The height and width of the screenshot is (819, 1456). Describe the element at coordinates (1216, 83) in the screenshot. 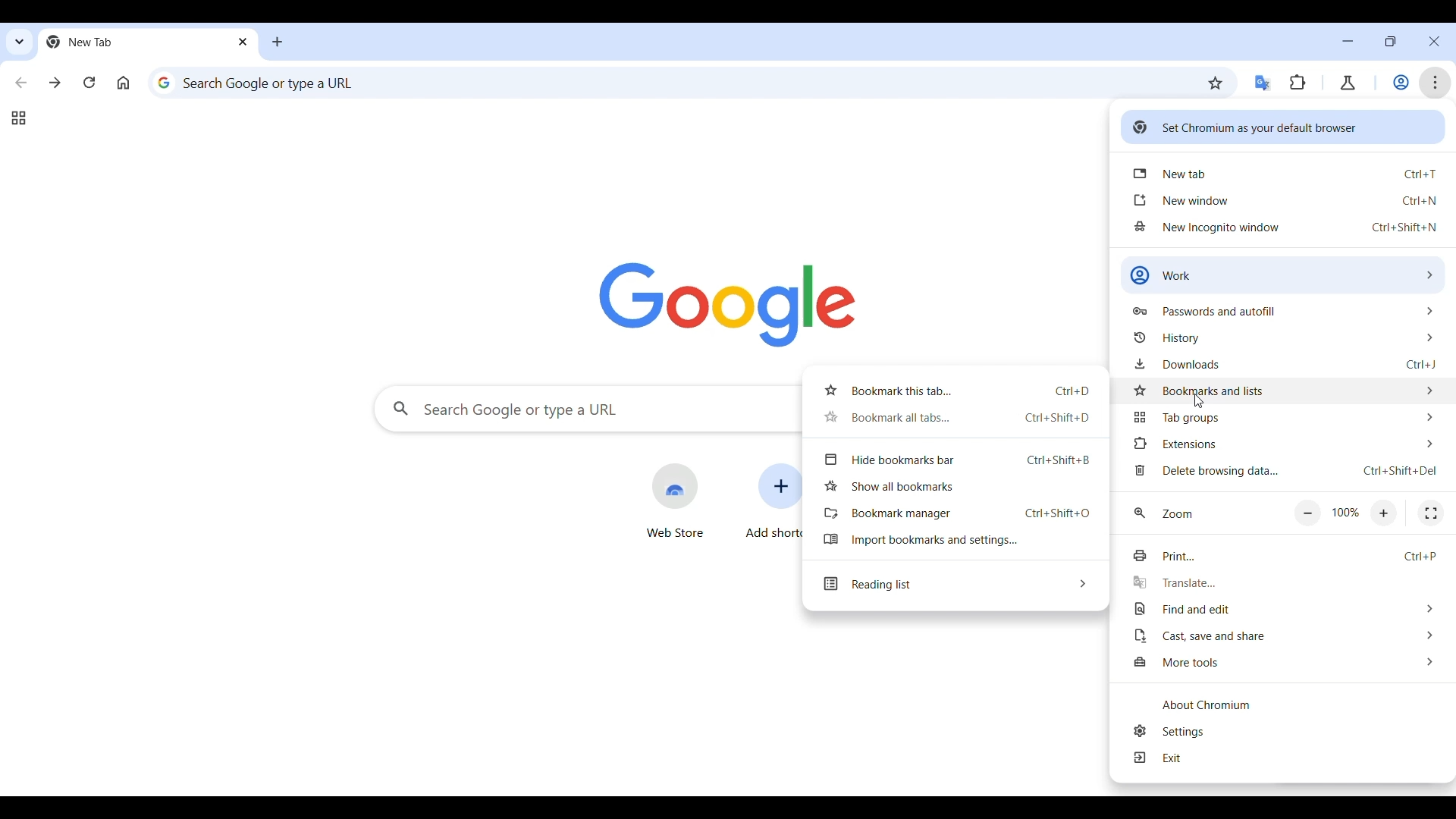

I see `Bookmark this tab` at that location.